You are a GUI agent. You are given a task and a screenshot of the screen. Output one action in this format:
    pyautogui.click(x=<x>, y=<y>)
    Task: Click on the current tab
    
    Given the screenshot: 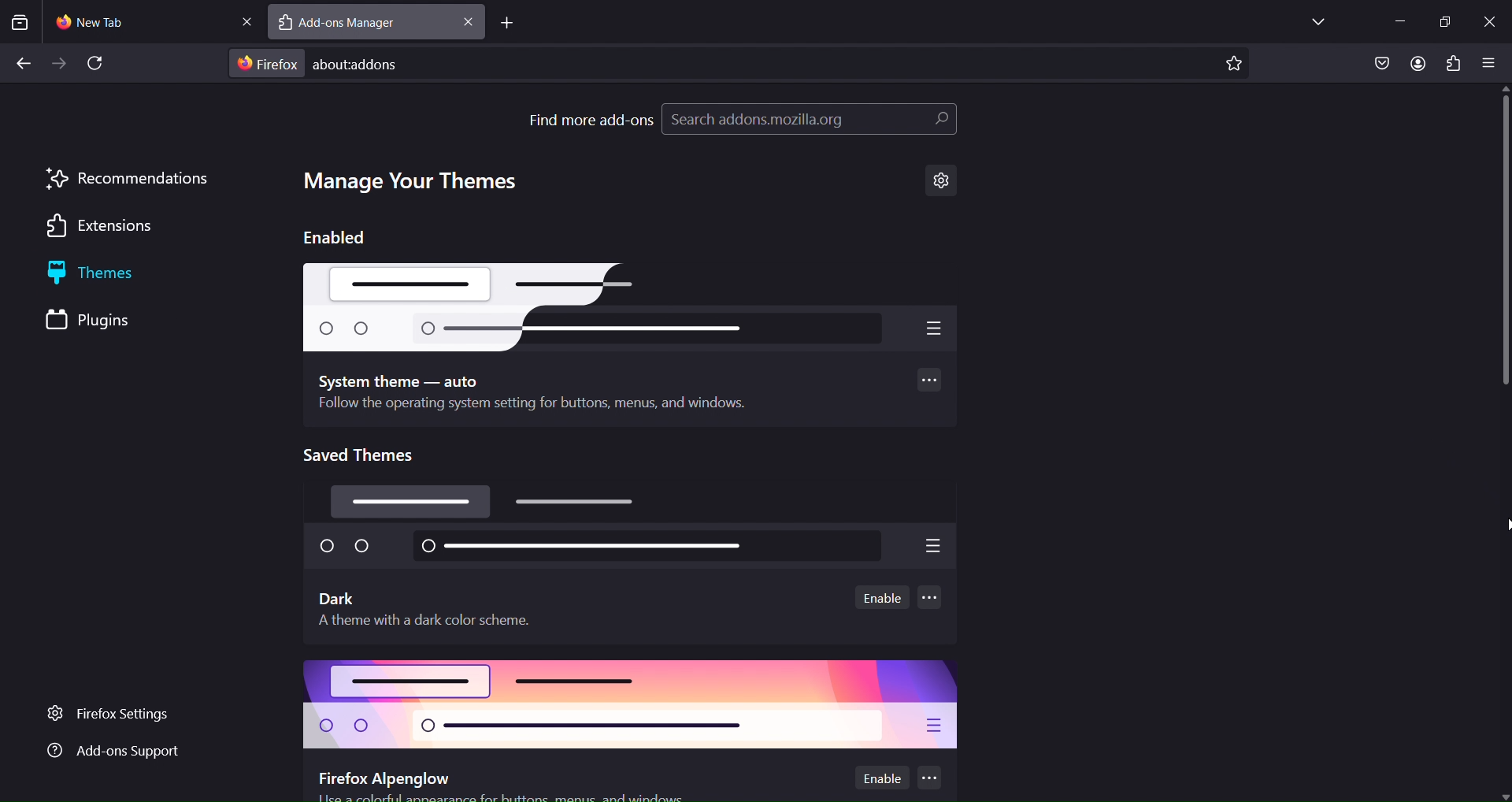 What is the action you would take?
    pyautogui.click(x=109, y=22)
    